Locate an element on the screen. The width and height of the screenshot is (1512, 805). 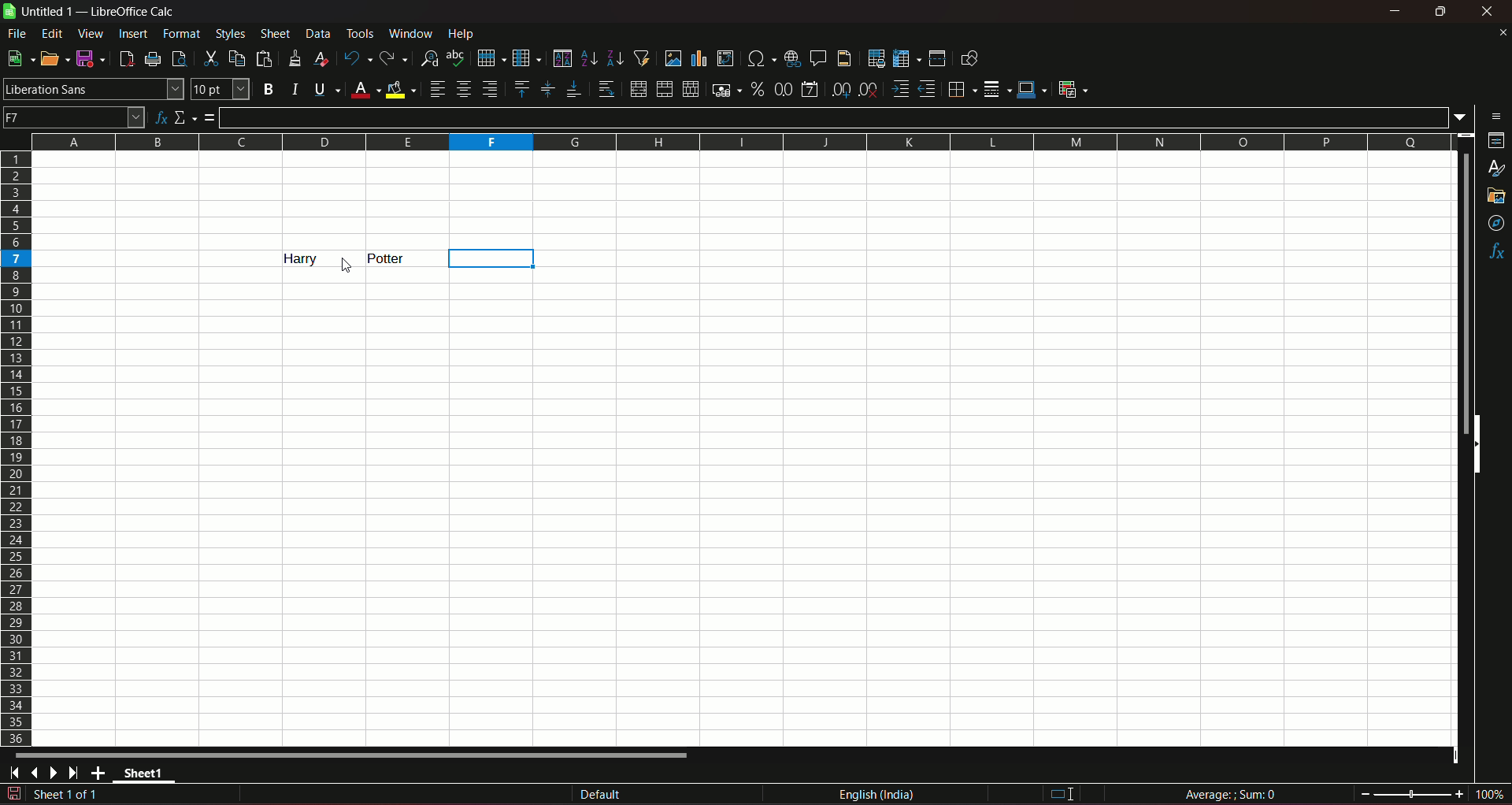
format is located at coordinates (183, 33).